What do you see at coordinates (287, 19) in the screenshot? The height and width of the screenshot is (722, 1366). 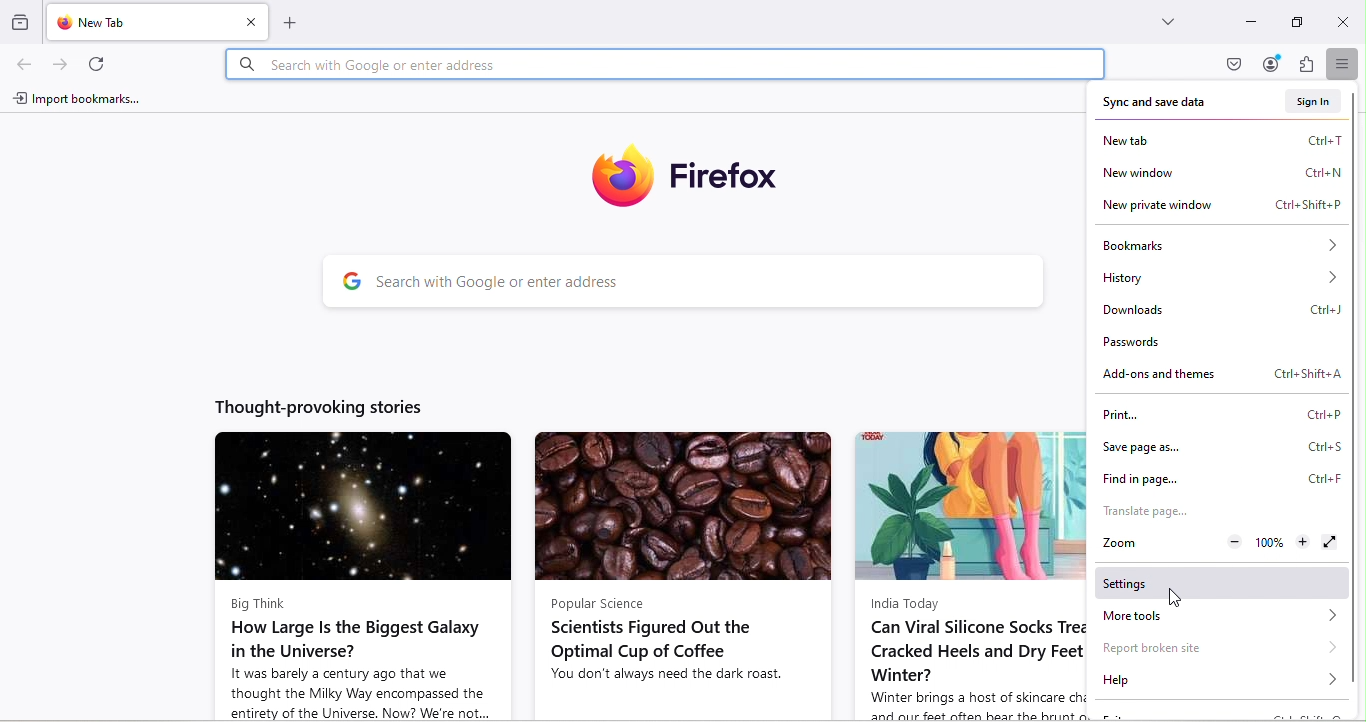 I see `Open a new tab` at bounding box center [287, 19].